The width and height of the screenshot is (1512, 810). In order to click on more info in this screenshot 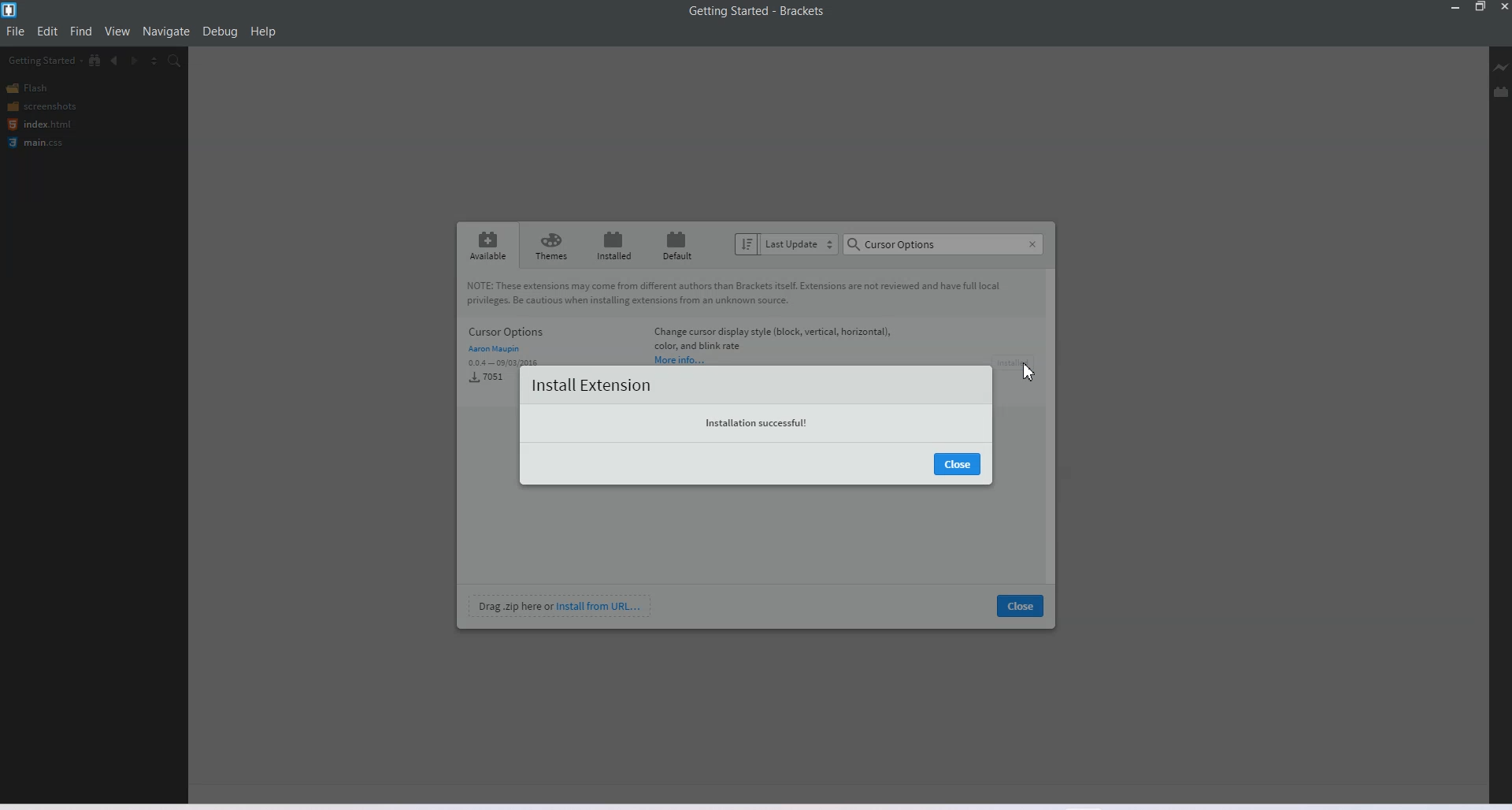, I will do `click(680, 359)`.